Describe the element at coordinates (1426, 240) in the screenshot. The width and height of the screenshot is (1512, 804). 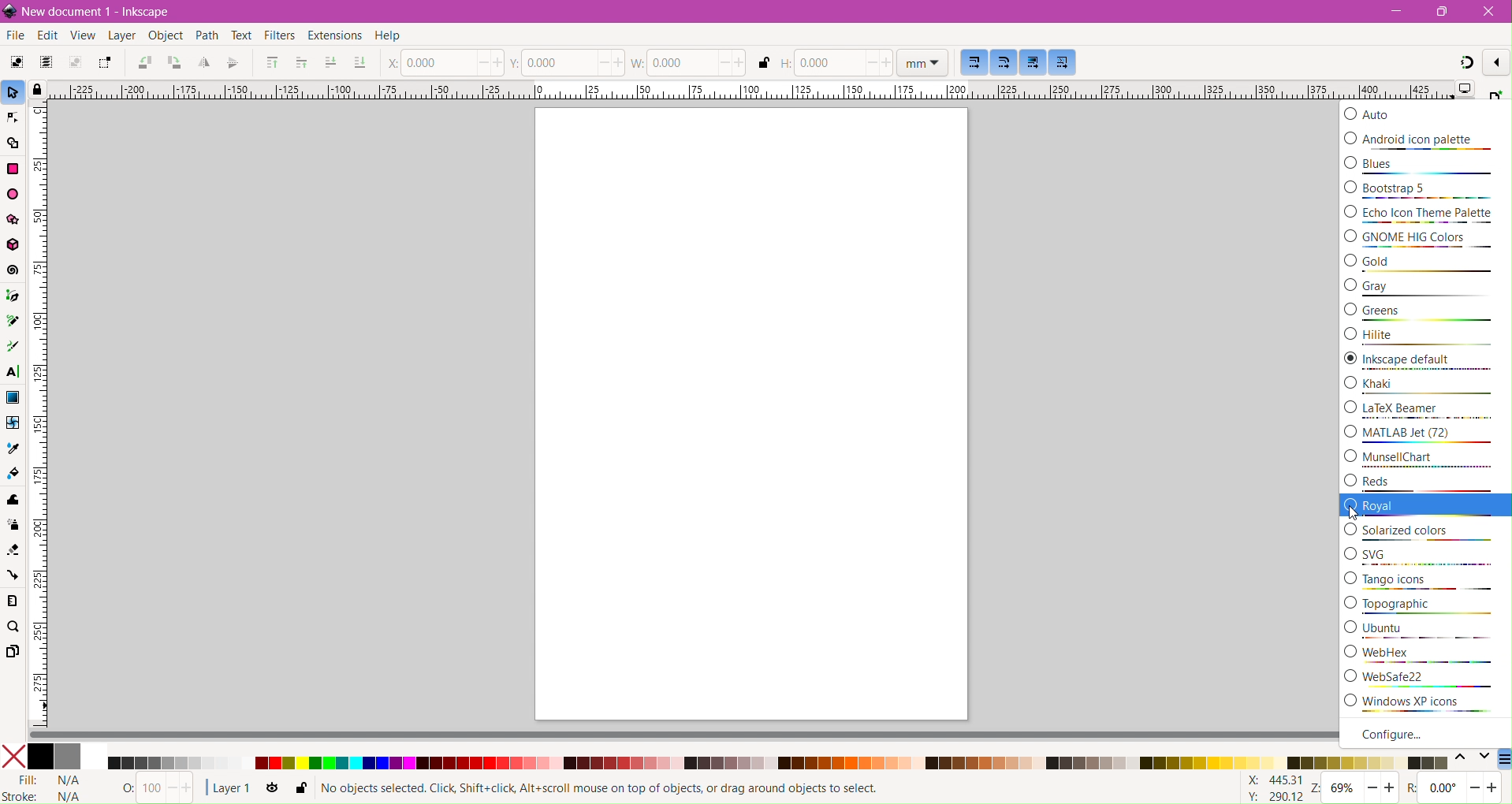
I see `GNOME HIG Colors` at that location.